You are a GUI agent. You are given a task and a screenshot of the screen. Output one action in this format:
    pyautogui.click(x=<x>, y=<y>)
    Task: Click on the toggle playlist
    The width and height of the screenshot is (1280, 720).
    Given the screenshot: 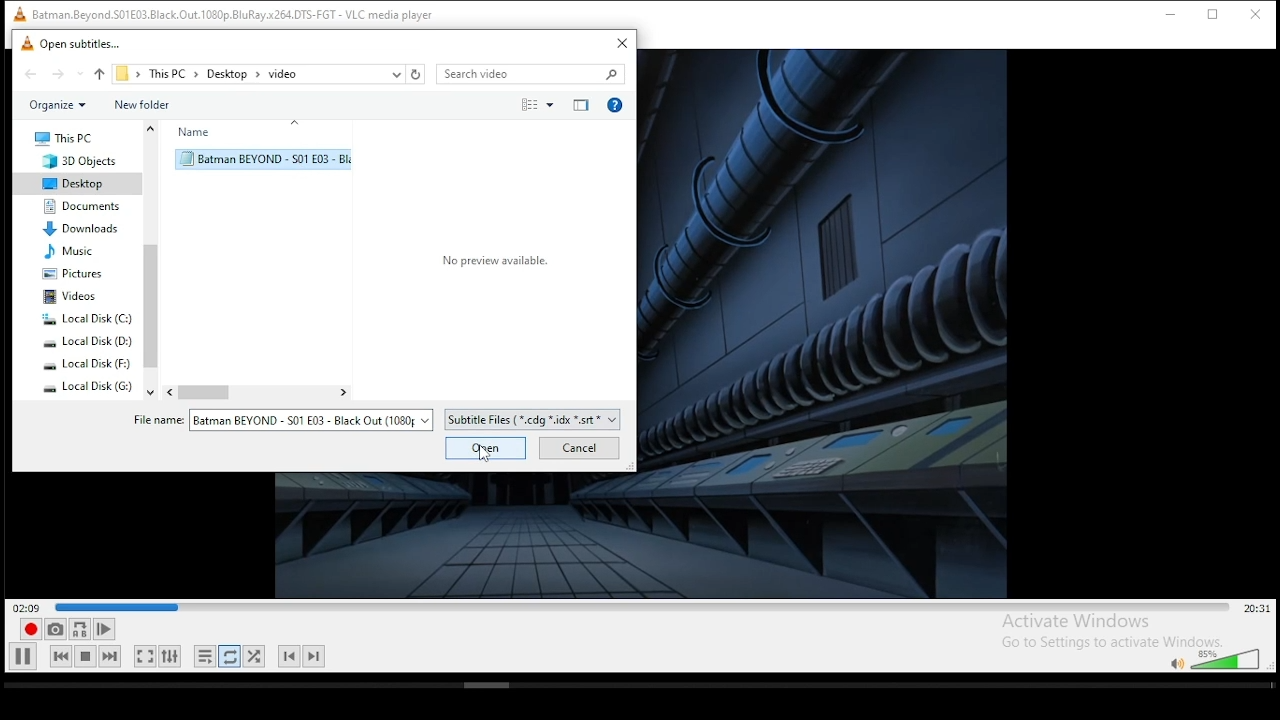 What is the action you would take?
    pyautogui.click(x=205, y=656)
    